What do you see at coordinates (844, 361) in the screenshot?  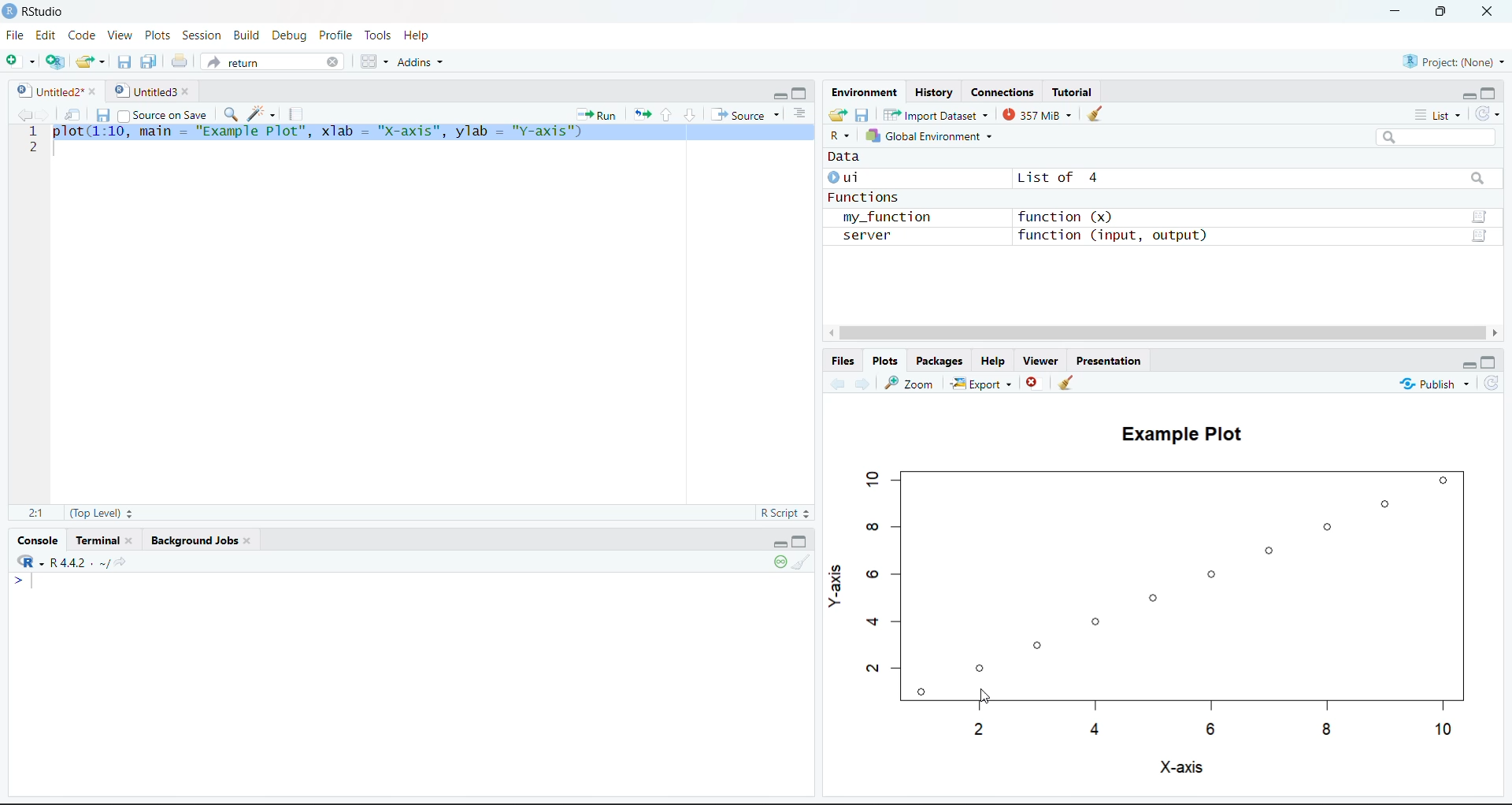 I see `Files` at bounding box center [844, 361].